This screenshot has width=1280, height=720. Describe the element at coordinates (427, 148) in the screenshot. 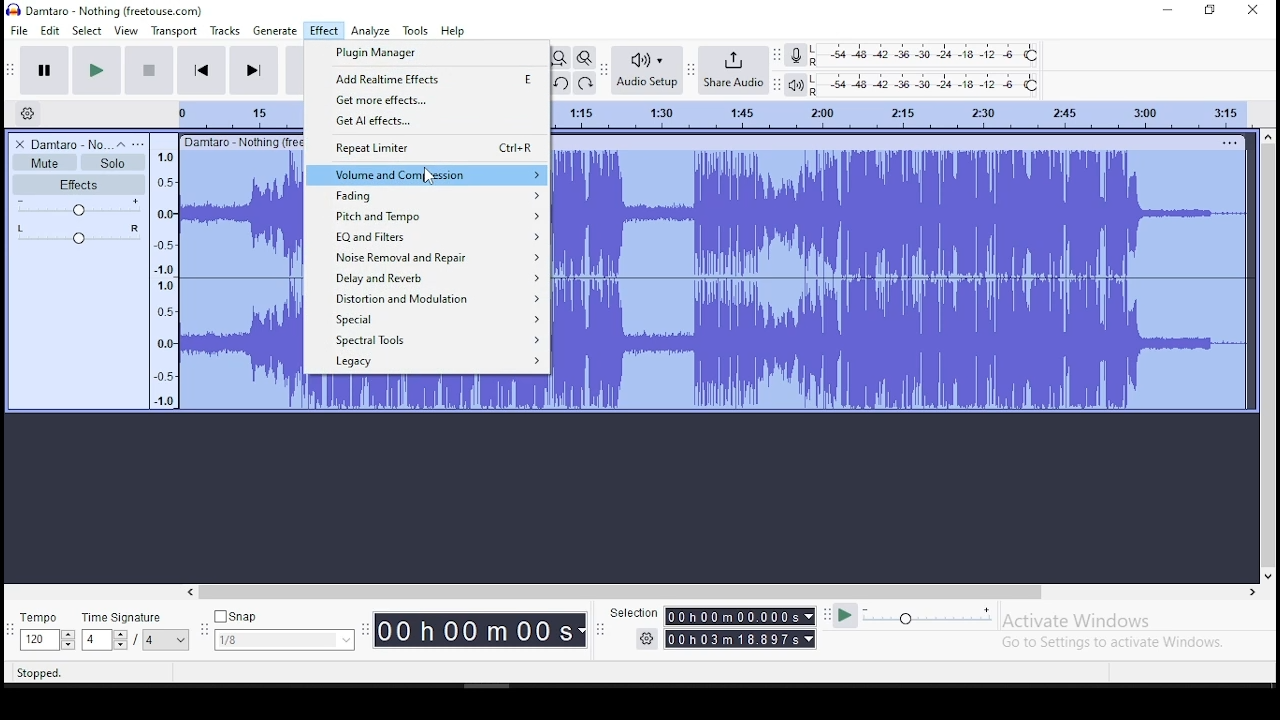

I see `repeat` at that location.